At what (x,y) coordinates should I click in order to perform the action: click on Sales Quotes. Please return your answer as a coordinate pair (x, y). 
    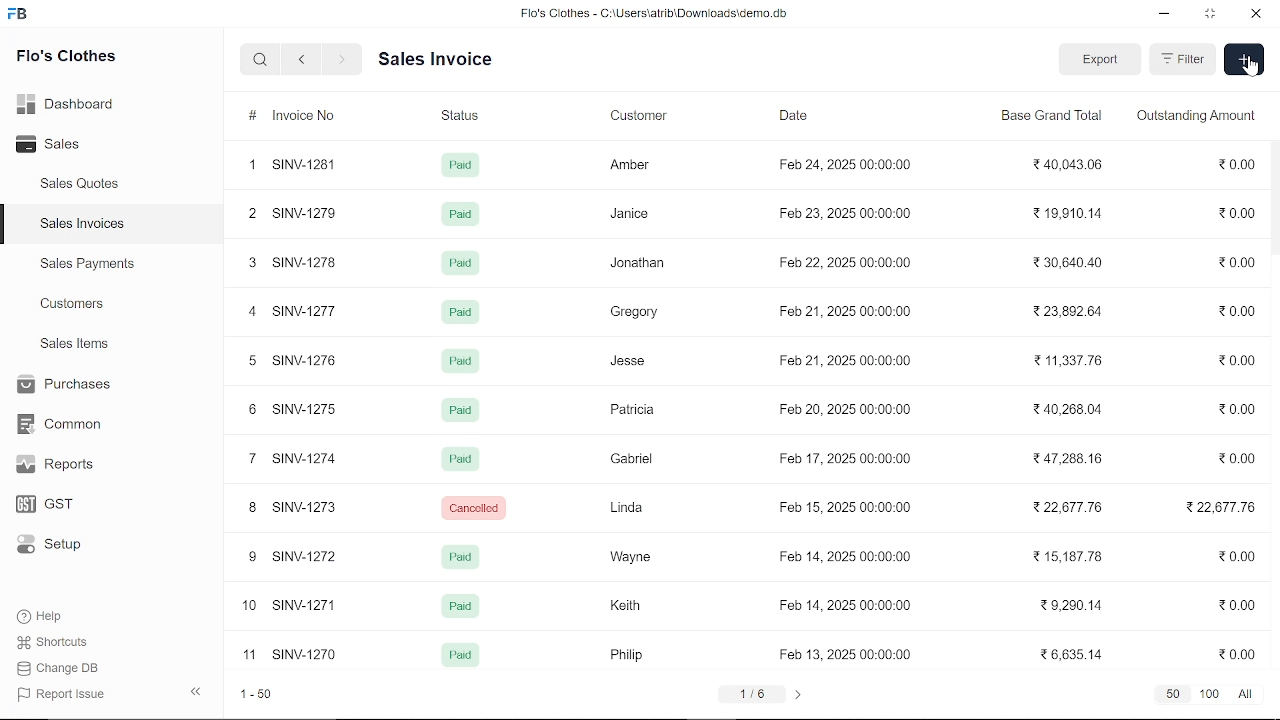
    Looking at the image, I should click on (82, 186).